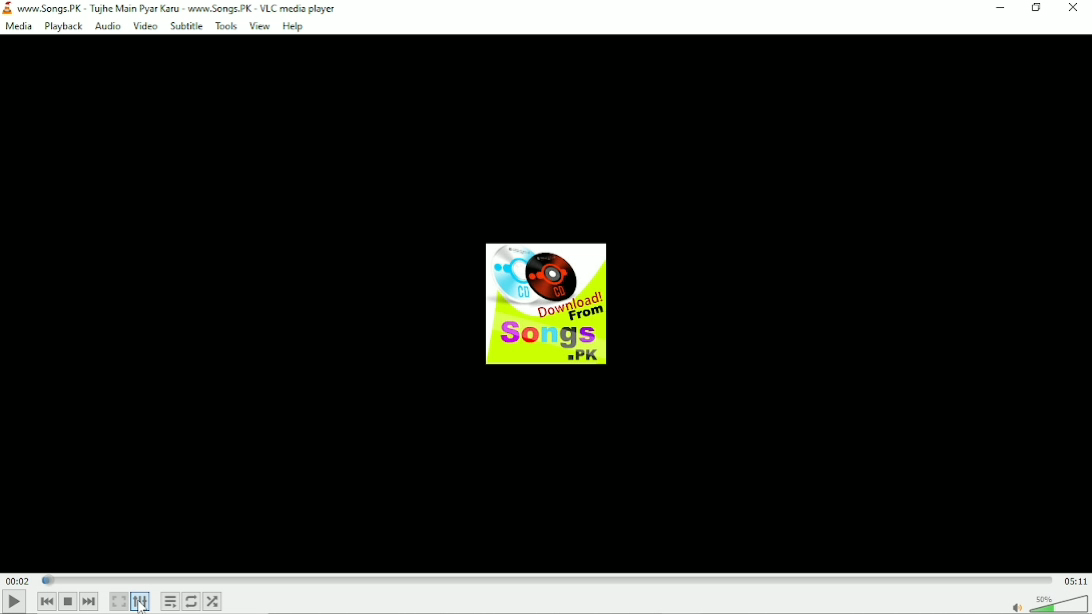 Image resolution: width=1092 pixels, height=614 pixels. What do you see at coordinates (226, 27) in the screenshot?
I see `Tools` at bounding box center [226, 27].